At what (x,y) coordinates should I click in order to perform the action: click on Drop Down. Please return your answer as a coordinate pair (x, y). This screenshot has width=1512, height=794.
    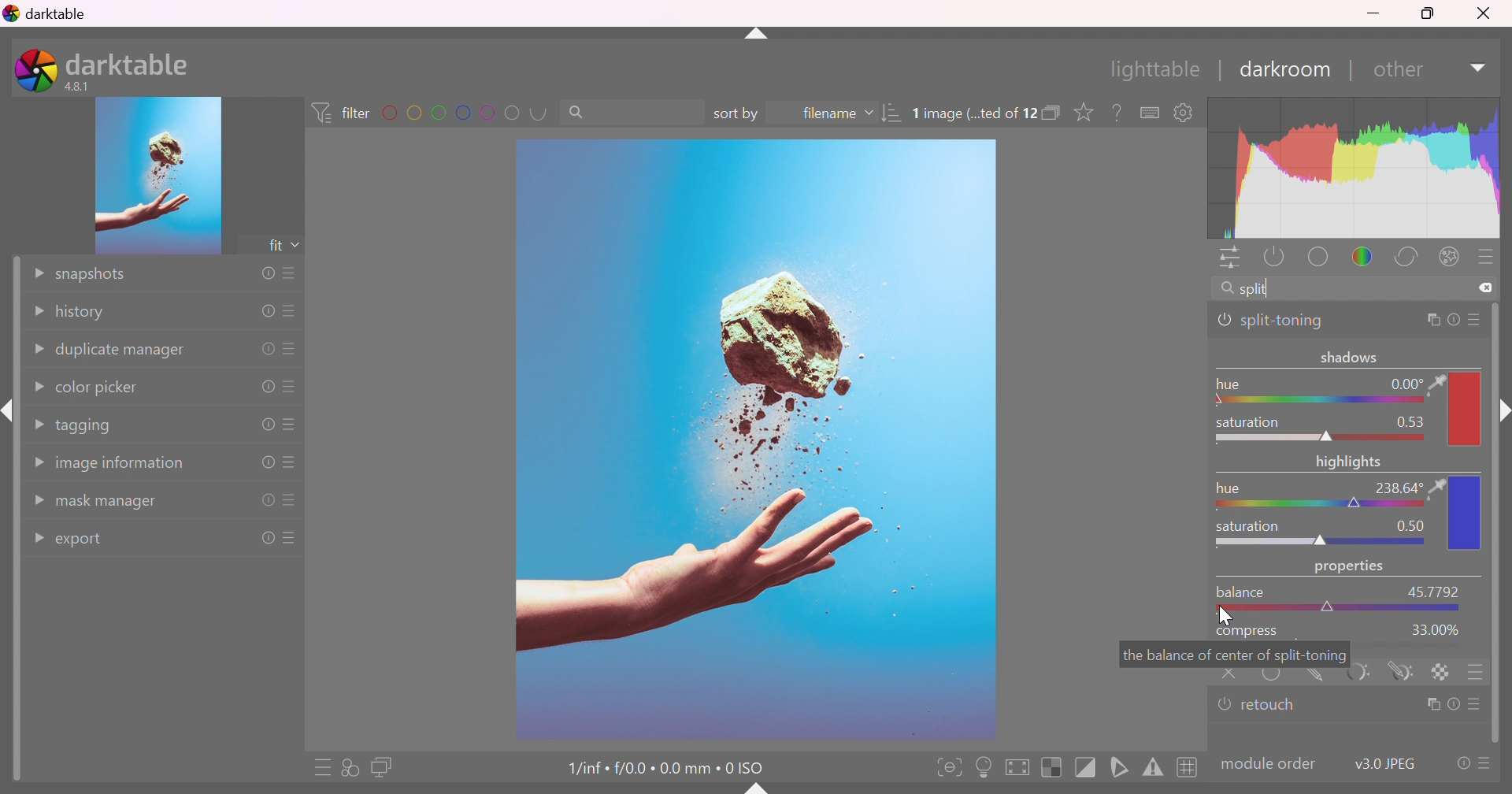
    Looking at the image, I should click on (35, 388).